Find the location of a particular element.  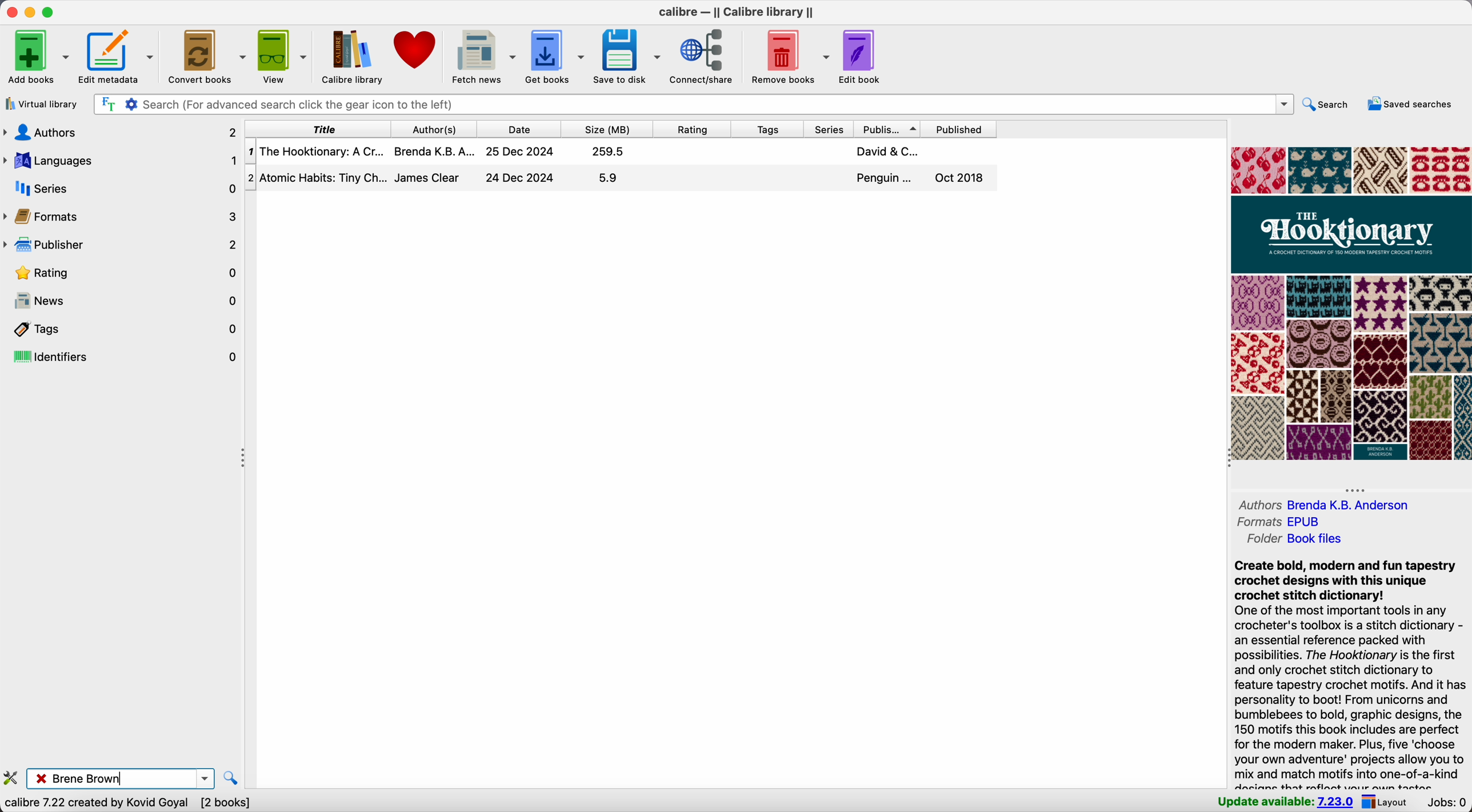

Calibre is located at coordinates (740, 12).